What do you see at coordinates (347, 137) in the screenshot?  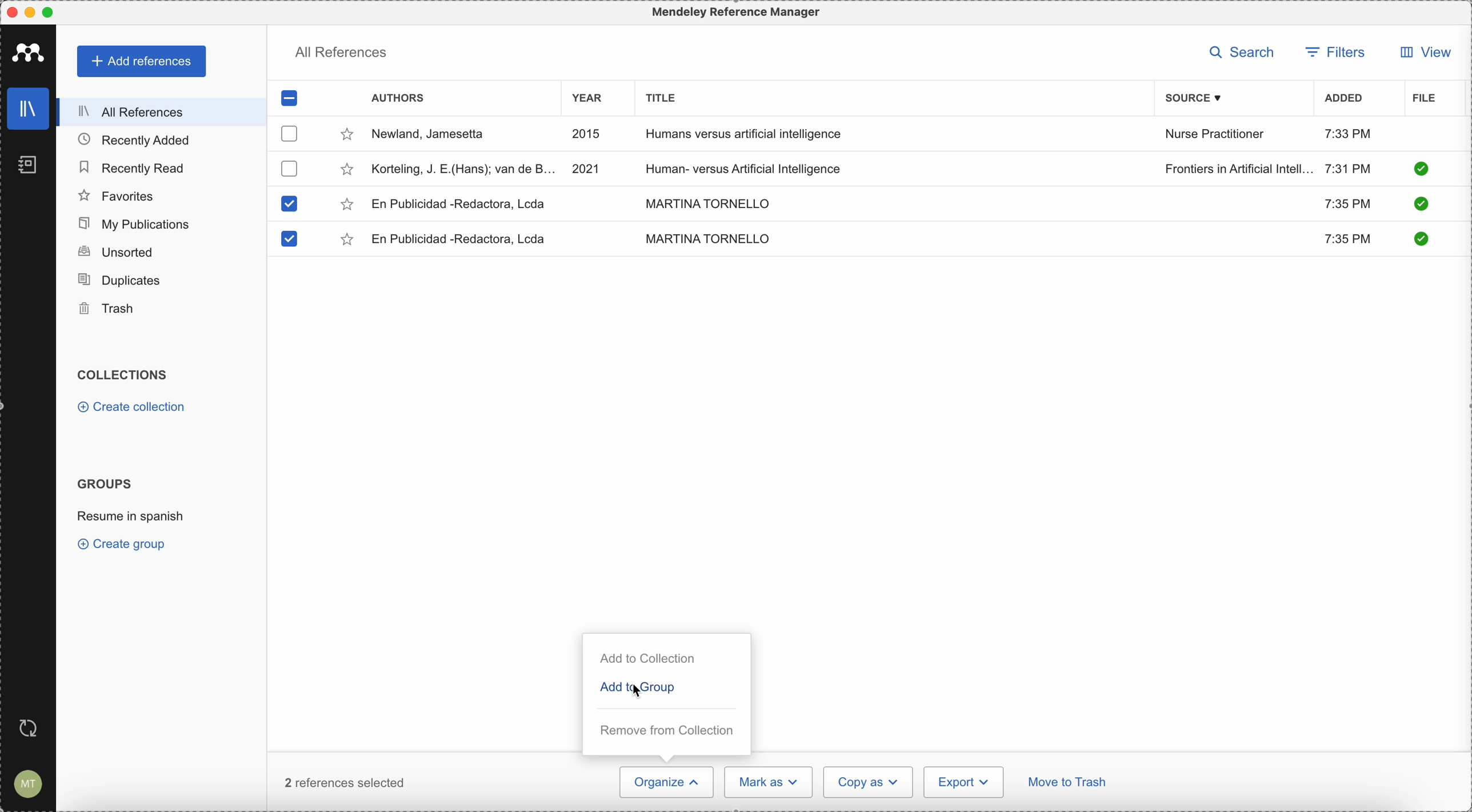 I see `favorite` at bounding box center [347, 137].